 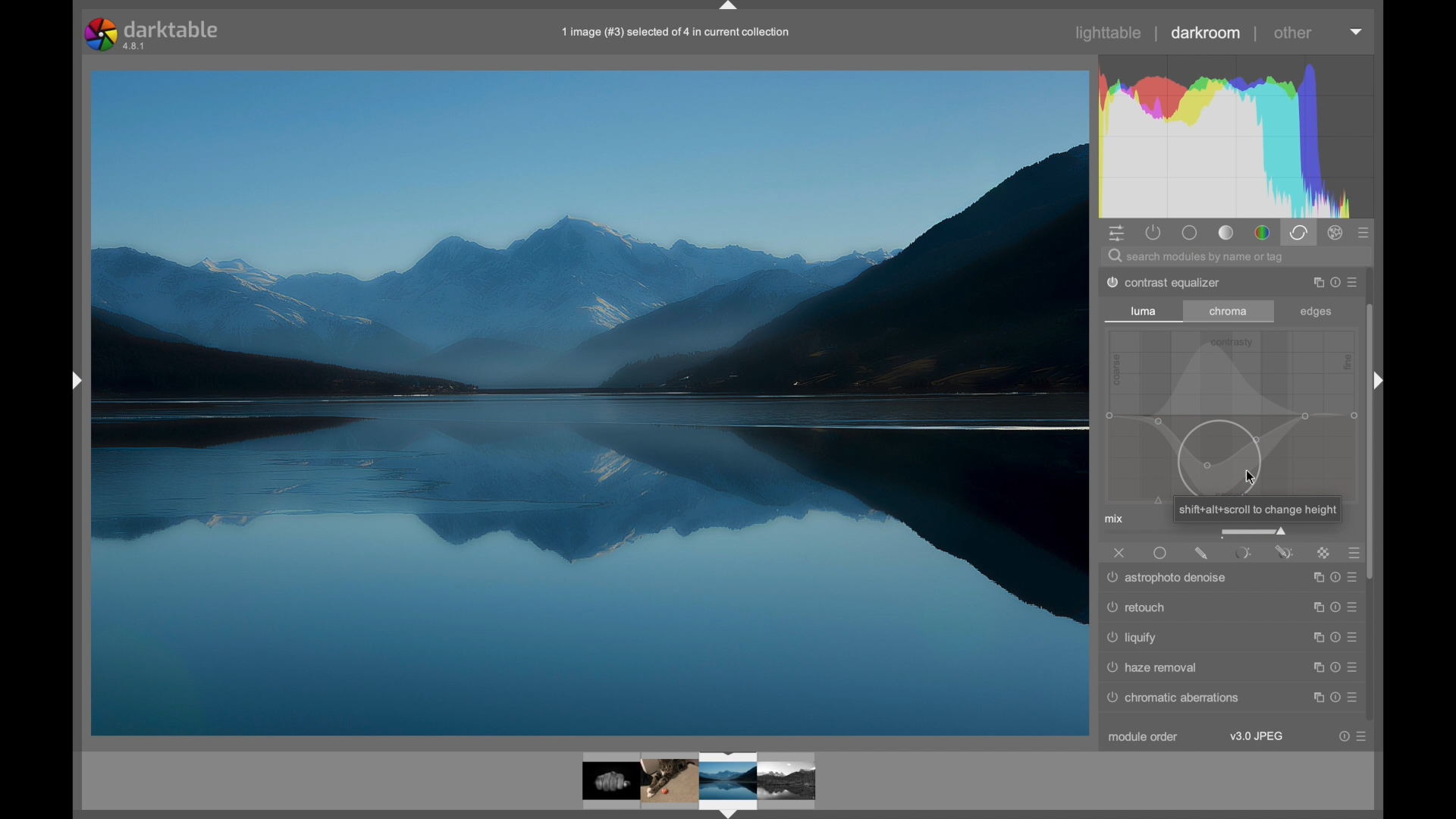 What do you see at coordinates (1324, 554) in the screenshot?
I see `raster mask` at bounding box center [1324, 554].